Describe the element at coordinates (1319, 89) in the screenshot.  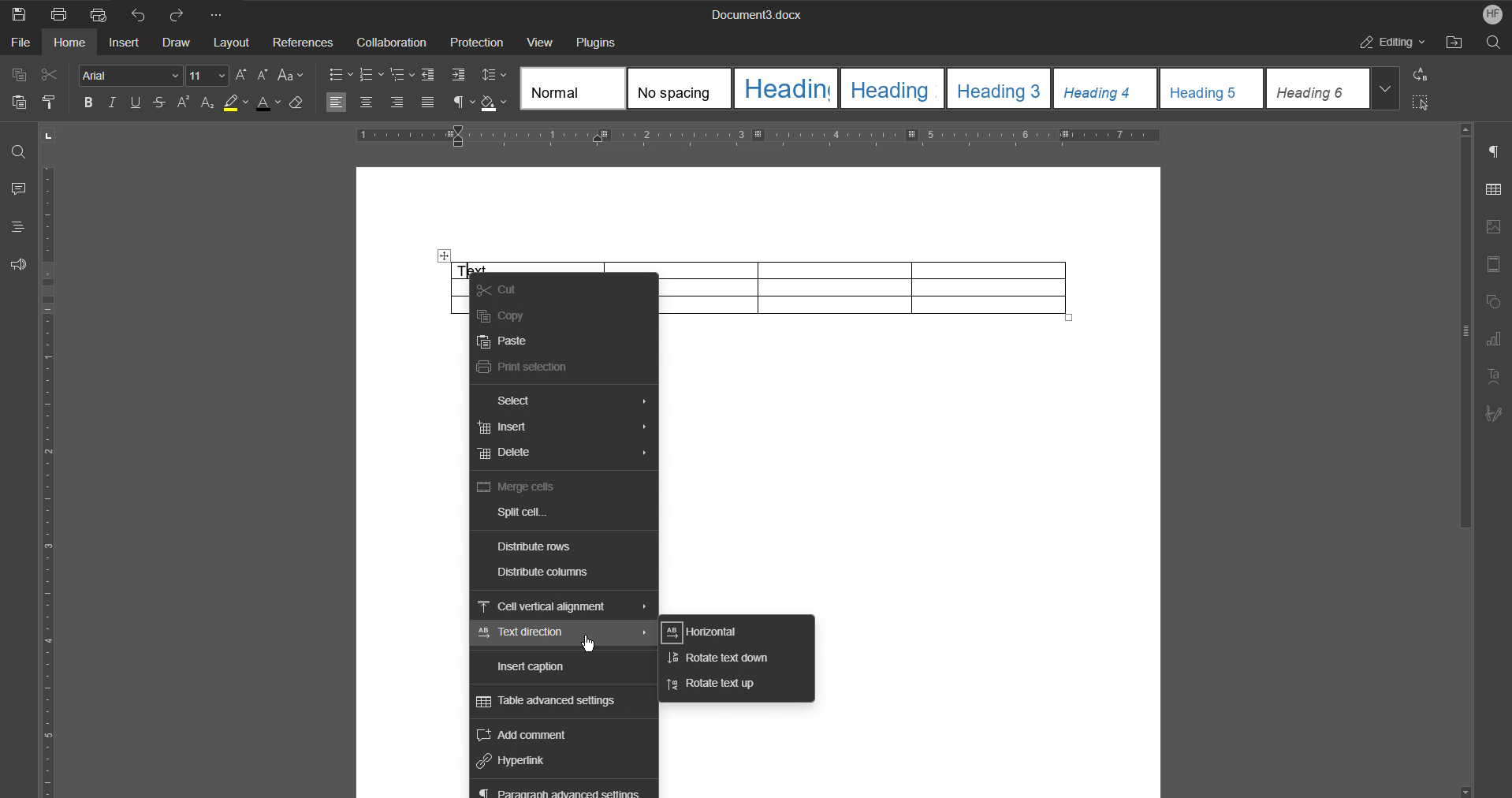
I see `Heading 6` at that location.